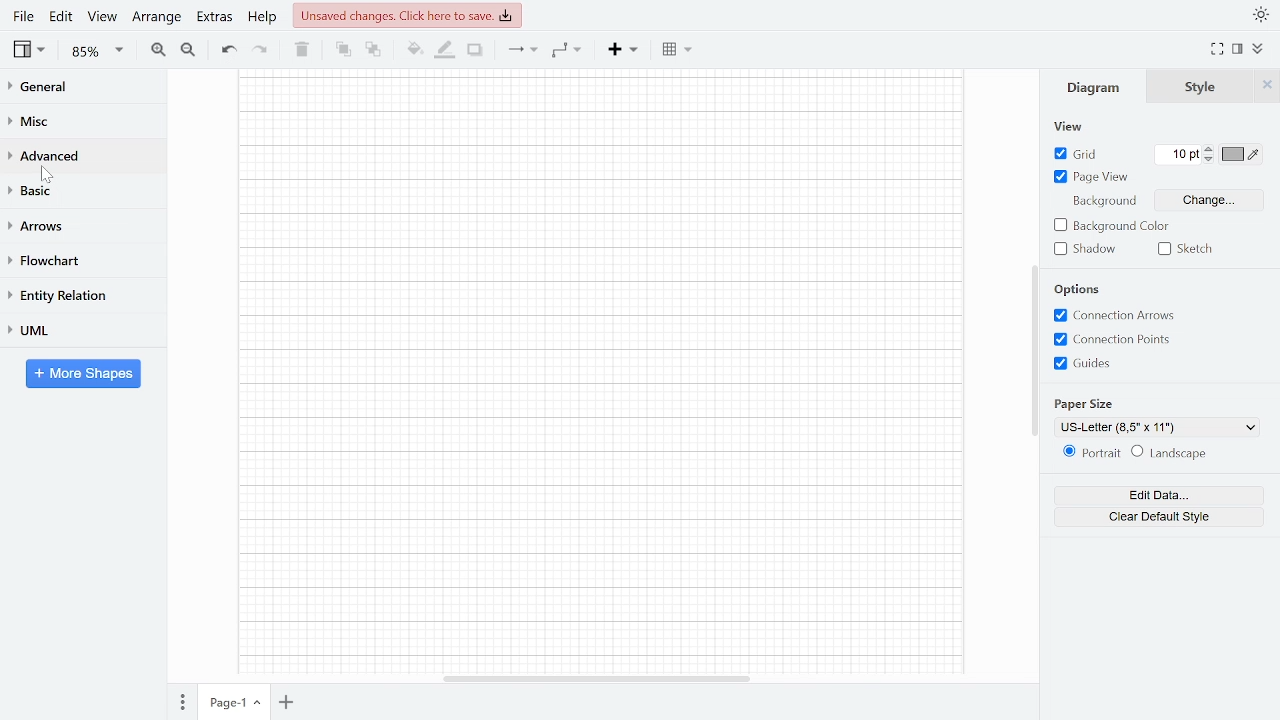 Image resolution: width=1280 pixels, height=720 pixels. What do you see at coordinates (1241, 51) in the screenshot?
I see `Format` at bounding box center [1241, 51].